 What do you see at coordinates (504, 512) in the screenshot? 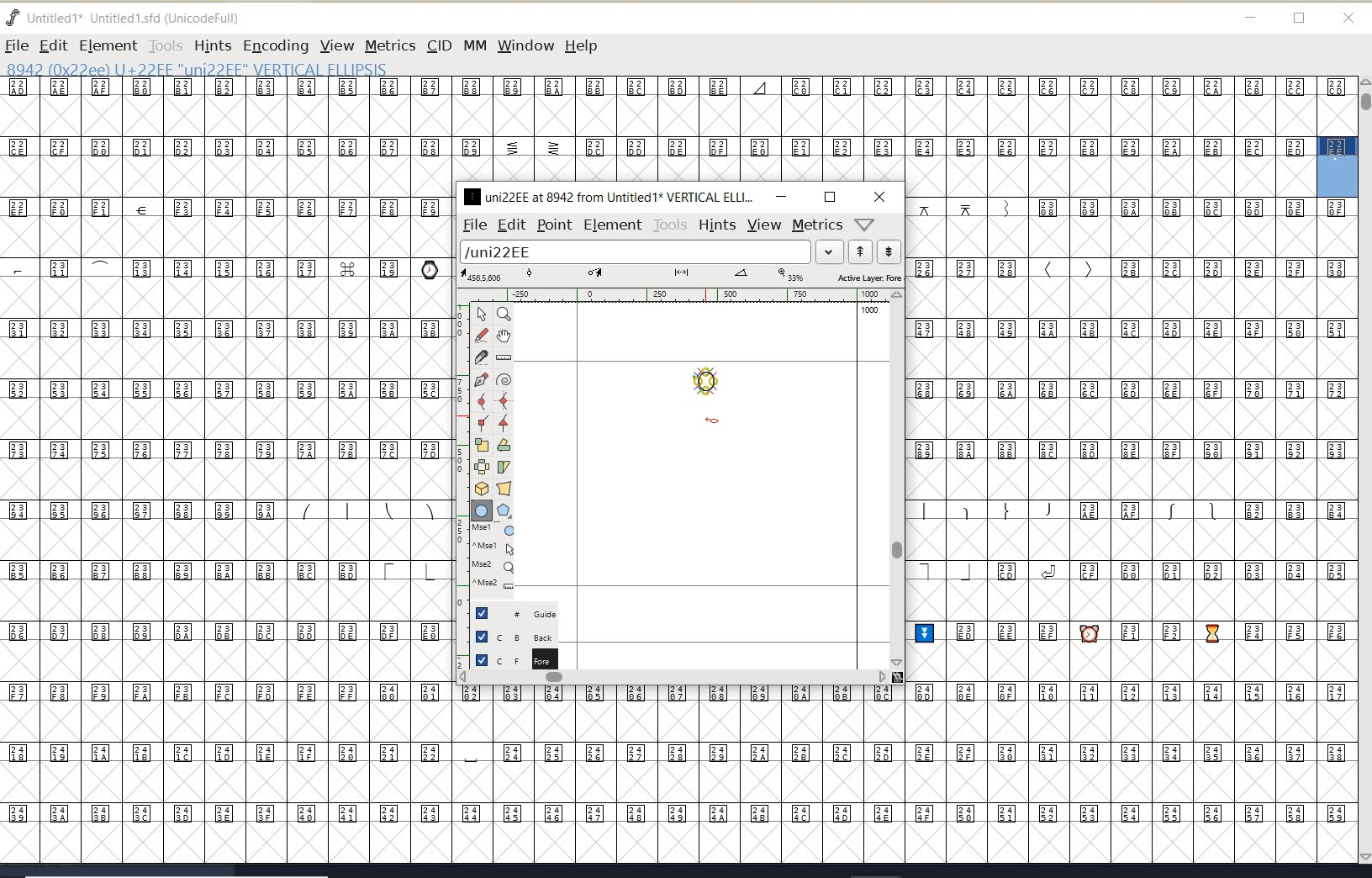
I see `polygon or star` at bounding box center [504, 512].